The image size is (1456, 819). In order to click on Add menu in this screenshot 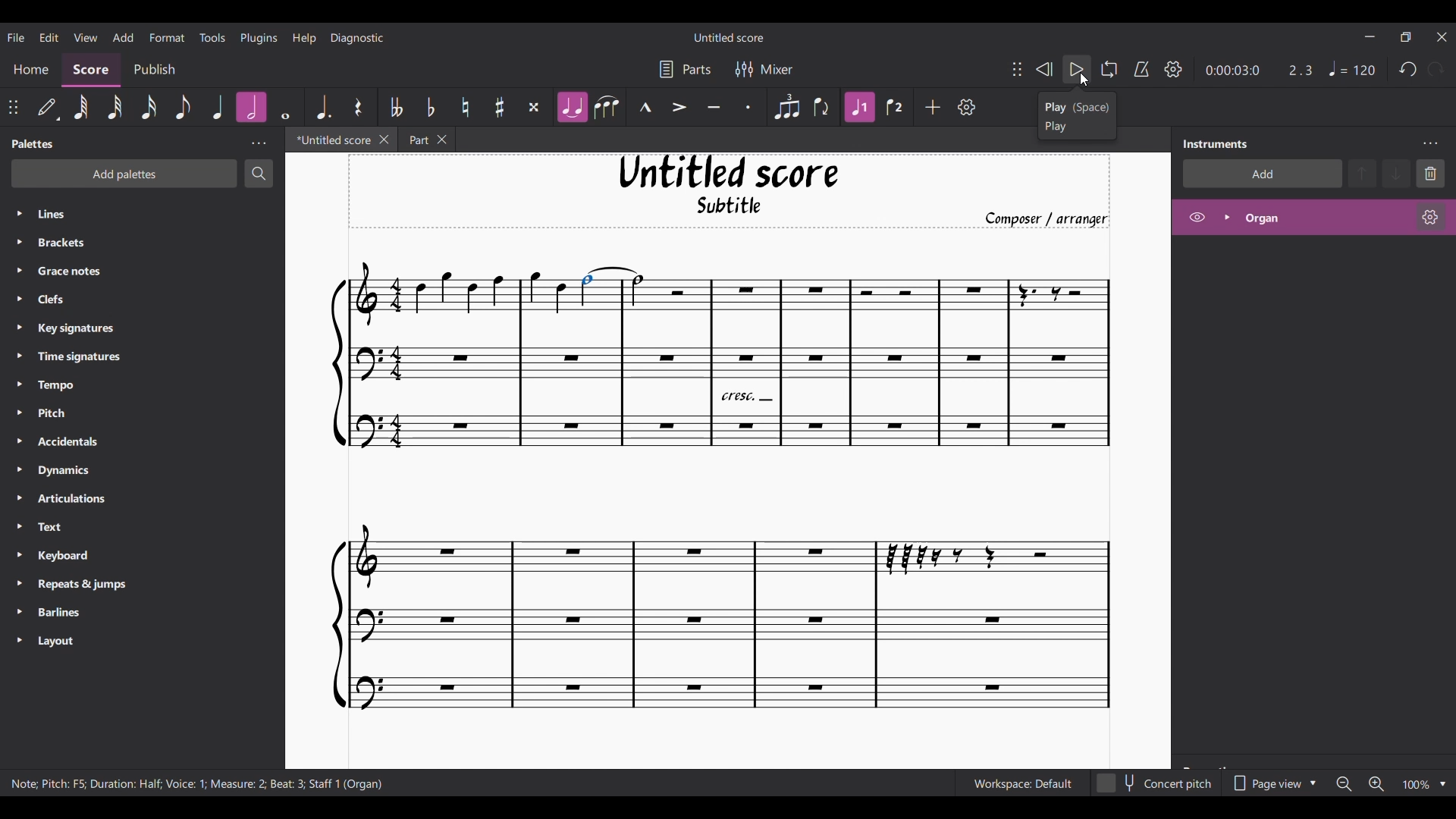, I will do `click(124, 37)`.